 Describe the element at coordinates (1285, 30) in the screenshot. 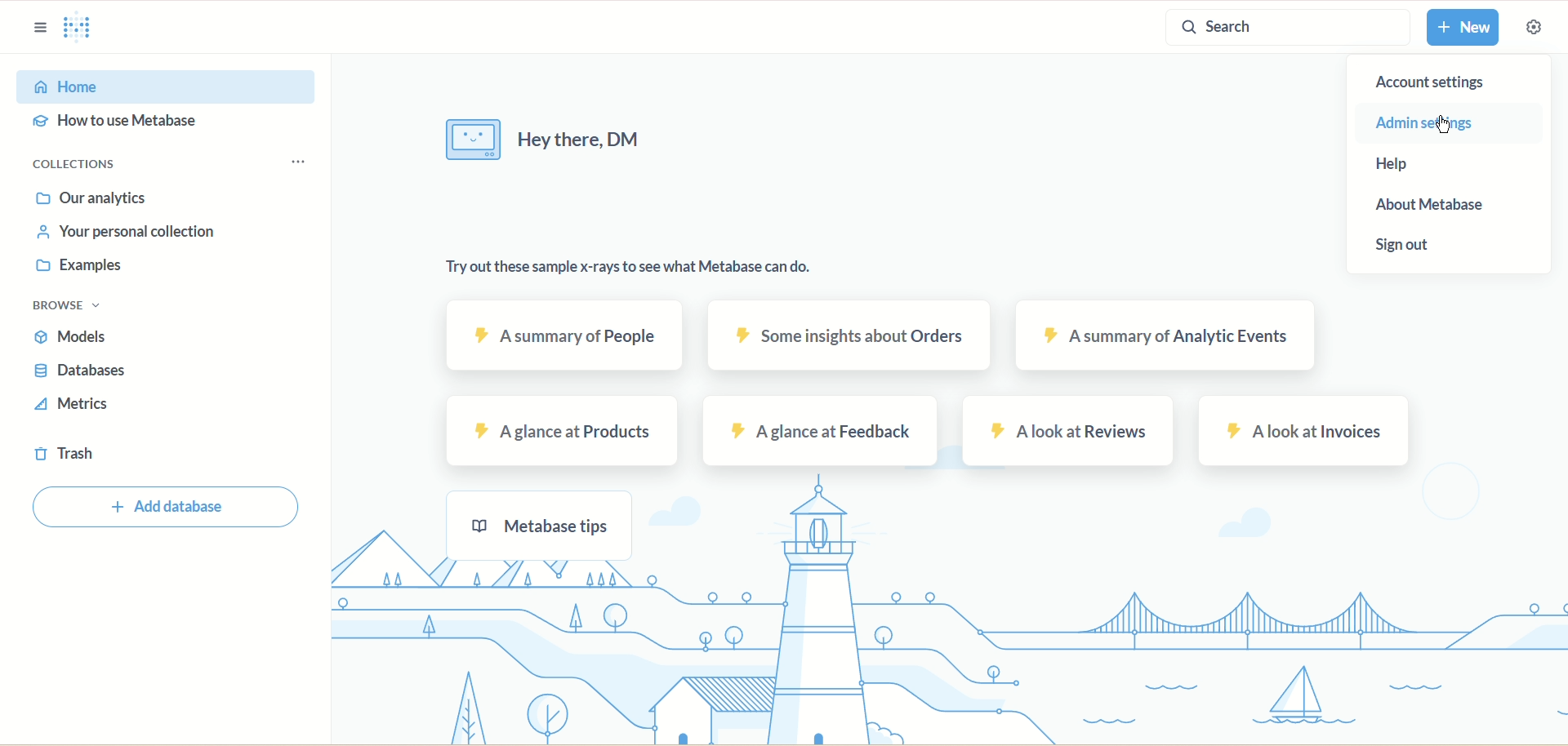

I see `Search` at that location.